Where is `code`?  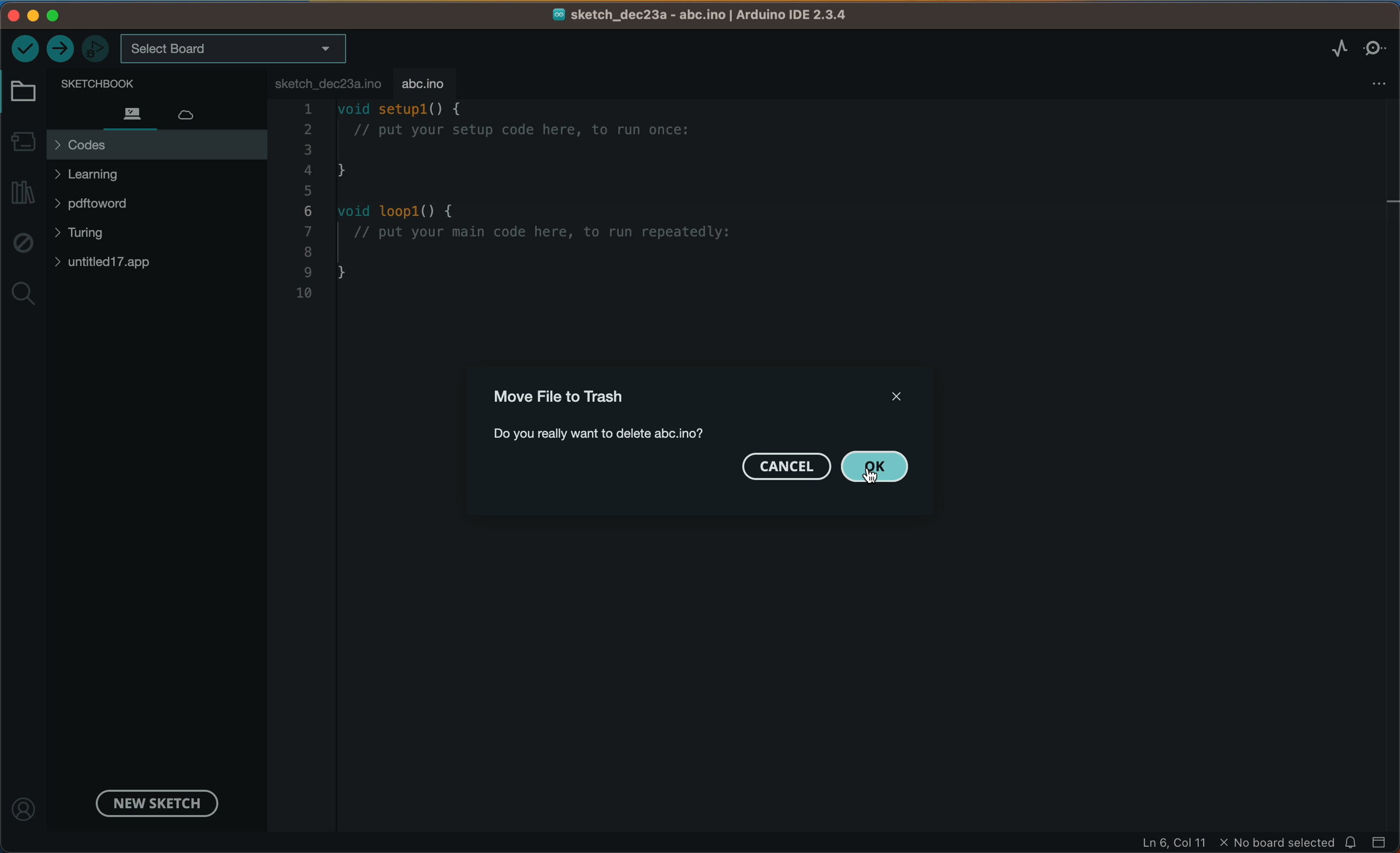 code is located at coordinates (574, 212).